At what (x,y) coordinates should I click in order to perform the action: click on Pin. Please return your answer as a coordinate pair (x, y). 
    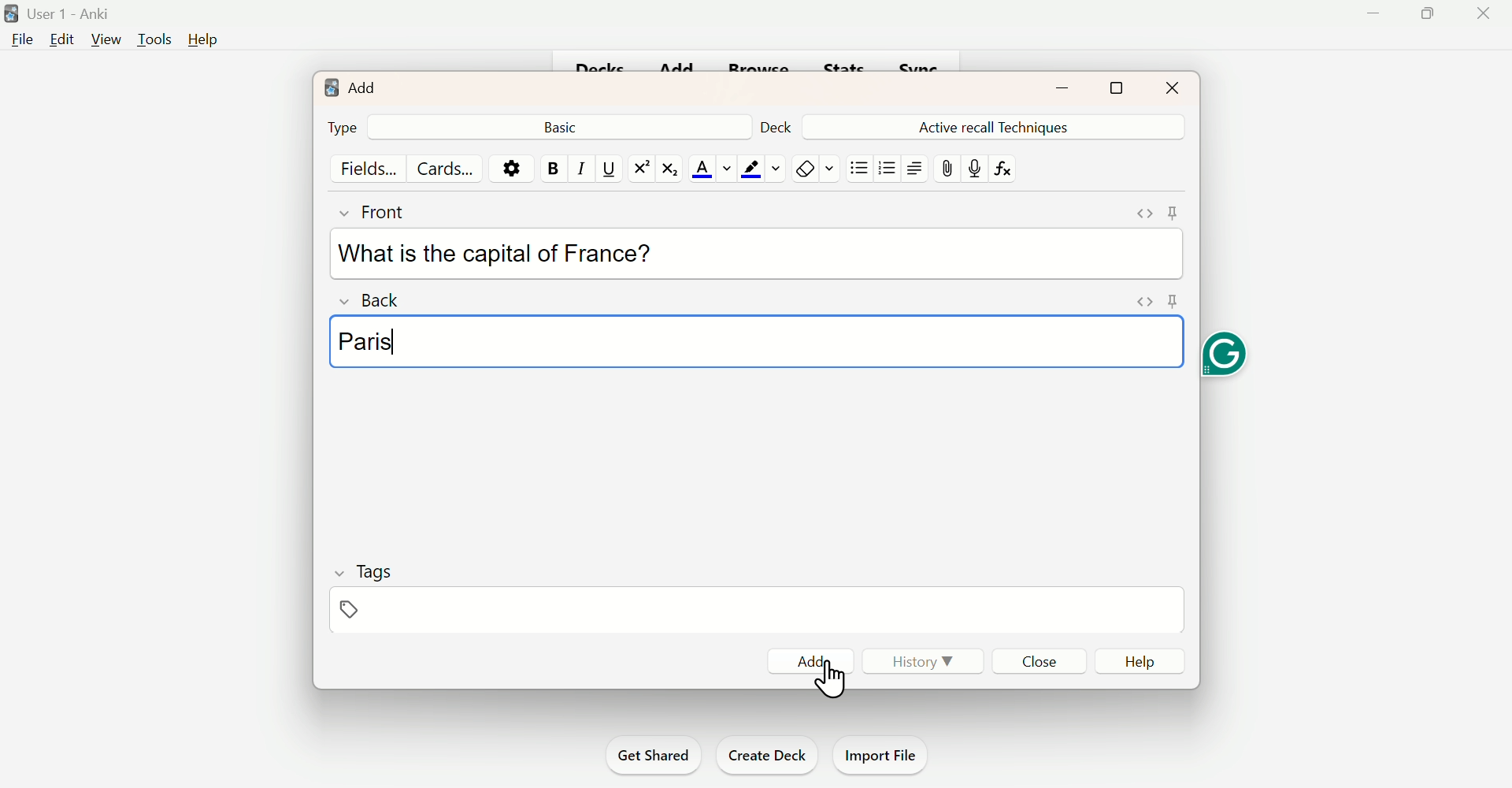
    Looking at the image, I should click on (1153, 208).